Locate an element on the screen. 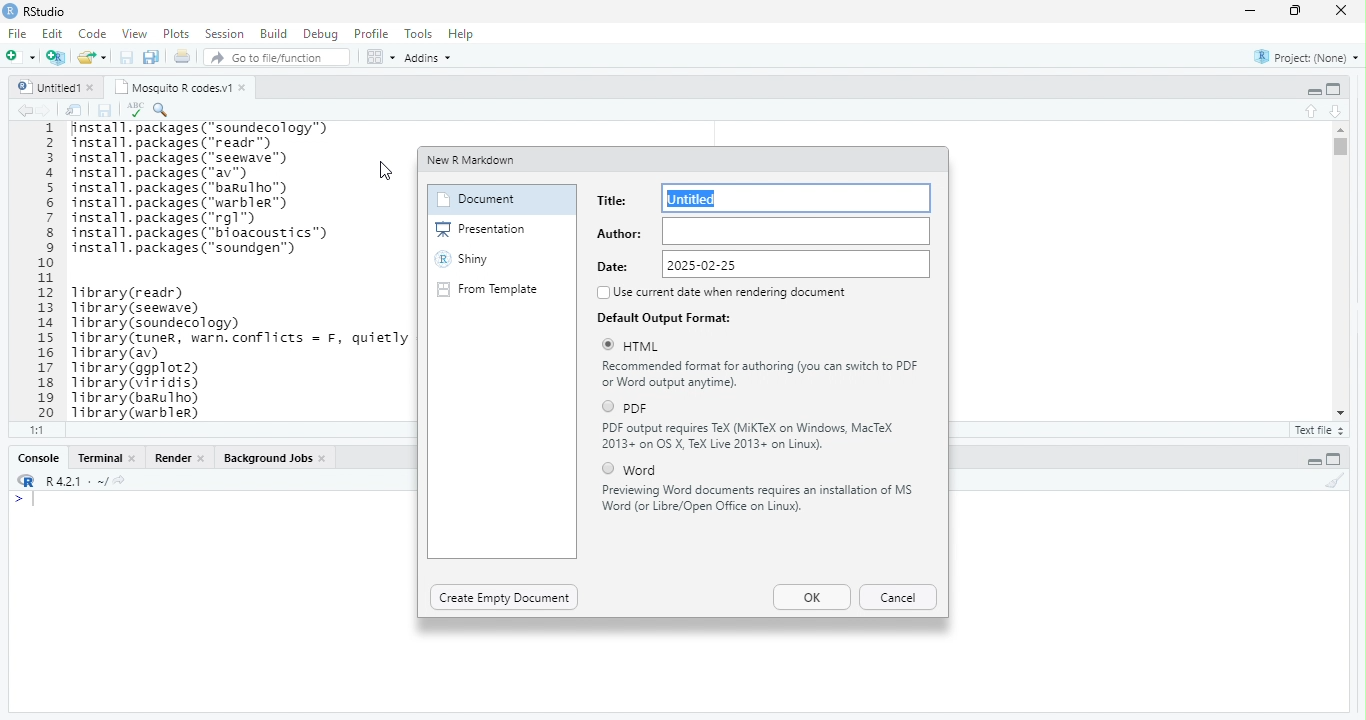  share is located at coordinates (119, 480).